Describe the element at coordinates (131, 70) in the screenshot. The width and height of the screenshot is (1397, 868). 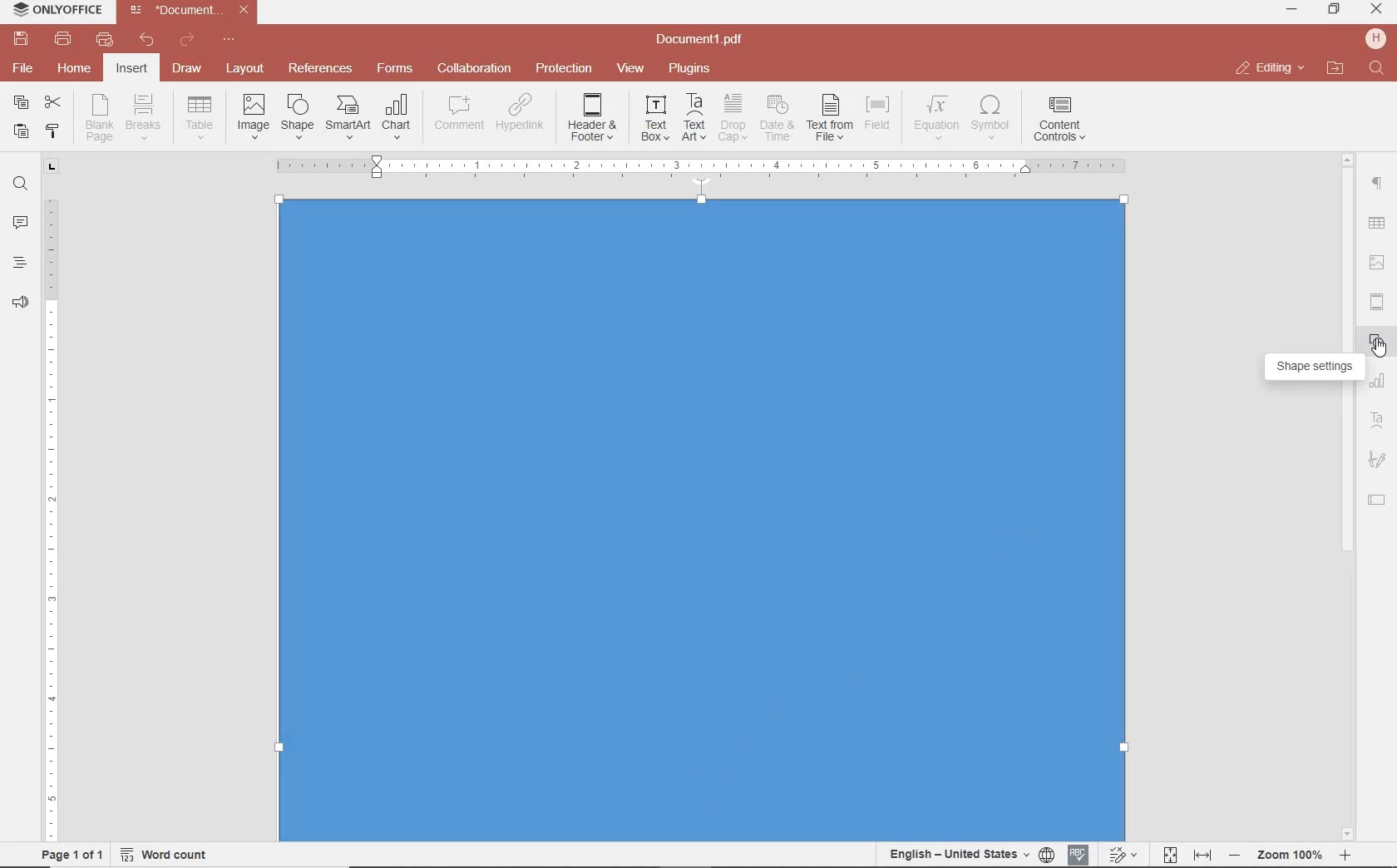
I see `insert` at that location.